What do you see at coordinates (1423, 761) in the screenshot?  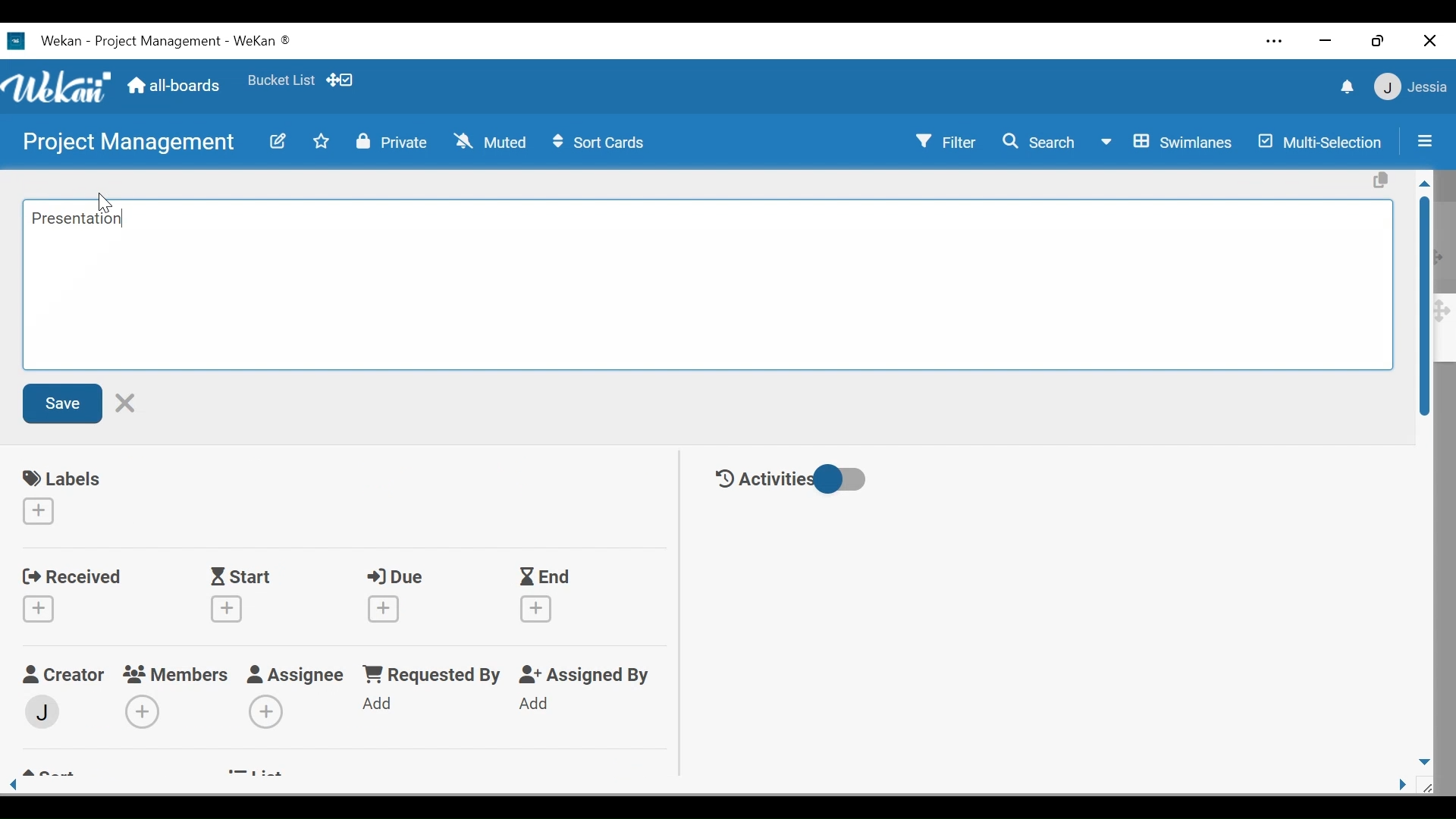 I see `Scroll down` at bounding box center [1423, 761].